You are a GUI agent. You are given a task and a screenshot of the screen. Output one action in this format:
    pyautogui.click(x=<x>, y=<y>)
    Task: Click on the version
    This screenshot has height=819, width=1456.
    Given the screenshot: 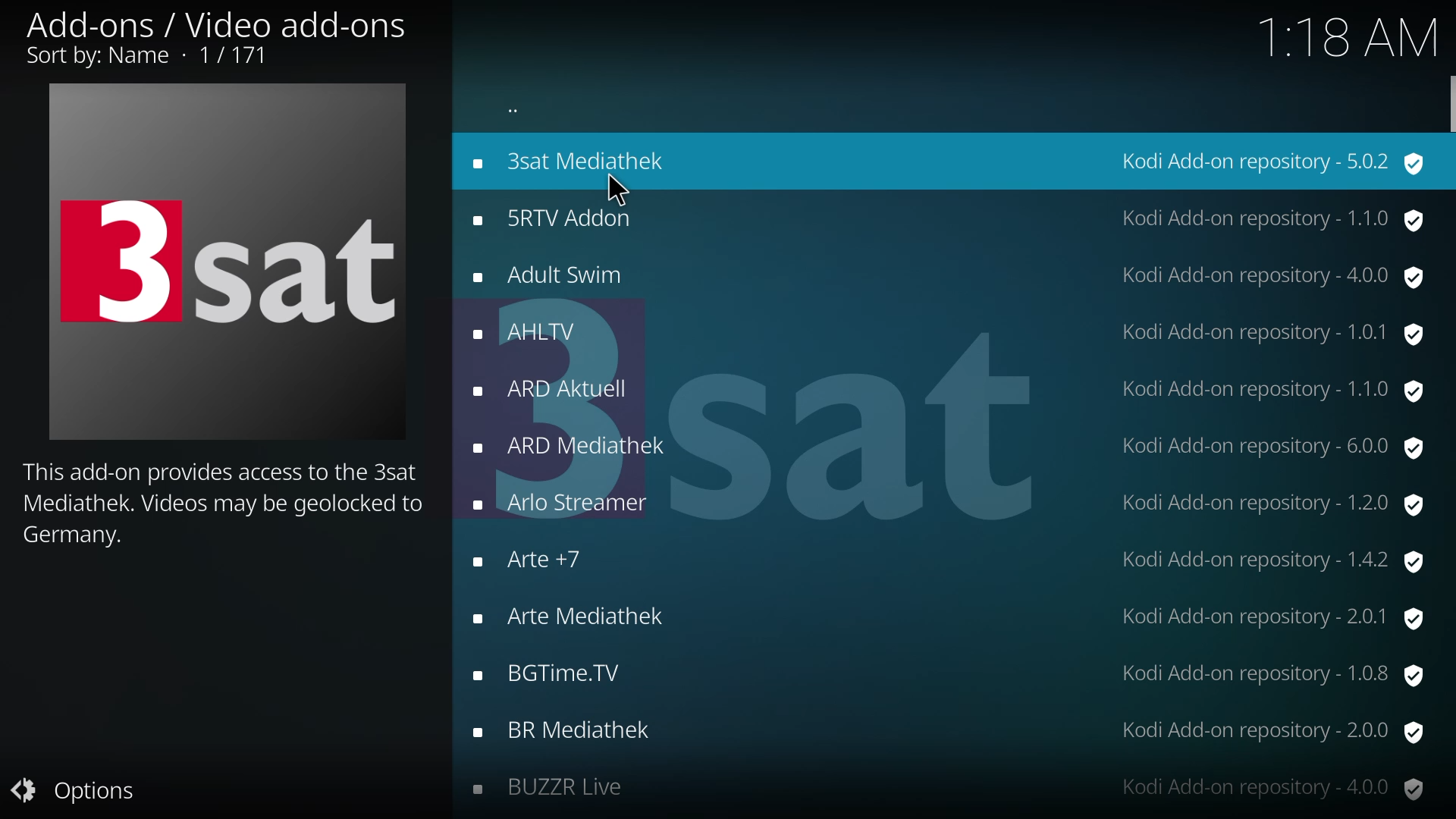 What is the action you would take?
    pyautogui.click(x=1263, y=560)
    